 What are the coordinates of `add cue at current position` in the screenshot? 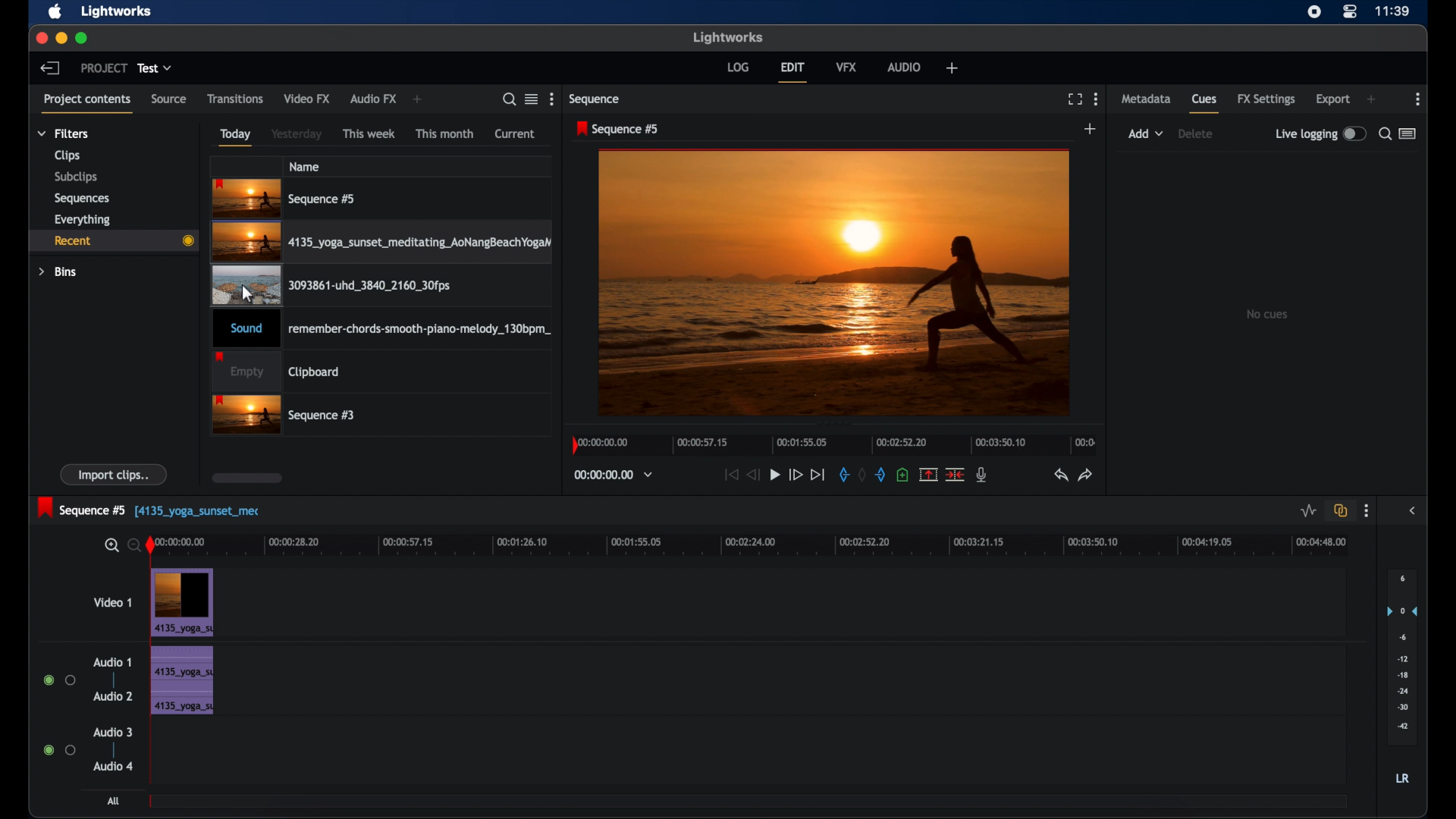 It's located at (902, 474).